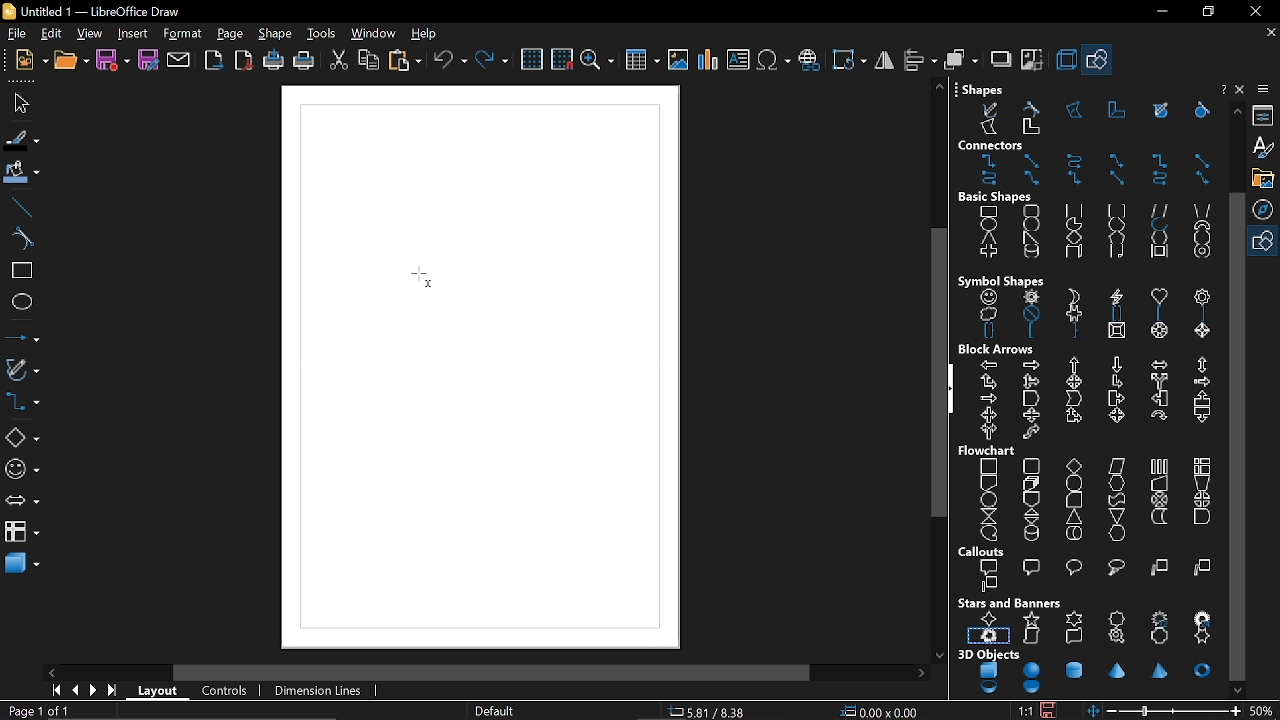 This screenshot has width=1280, height=720. Describe the element at coordinates (1265, 114) in the screenshot. I see `Properties` at that location.